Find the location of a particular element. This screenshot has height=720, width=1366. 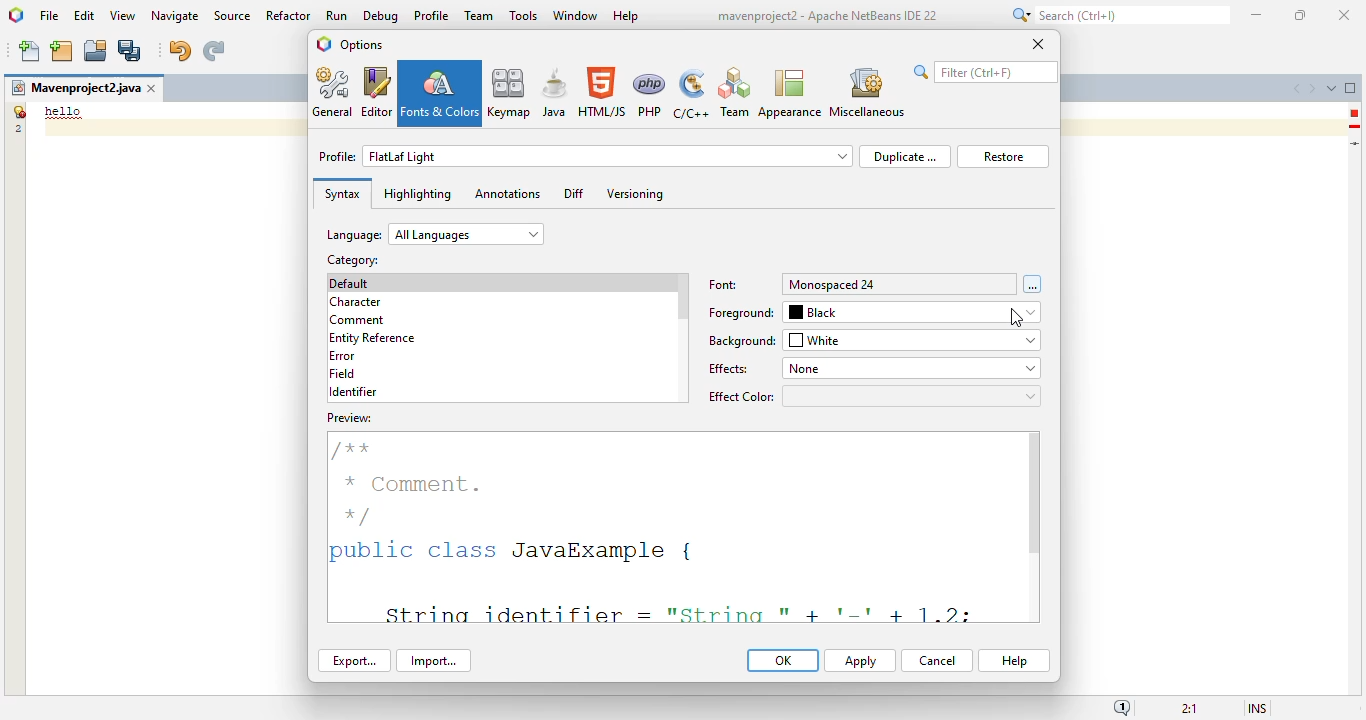

restore is located at coordinates (1003, 157).